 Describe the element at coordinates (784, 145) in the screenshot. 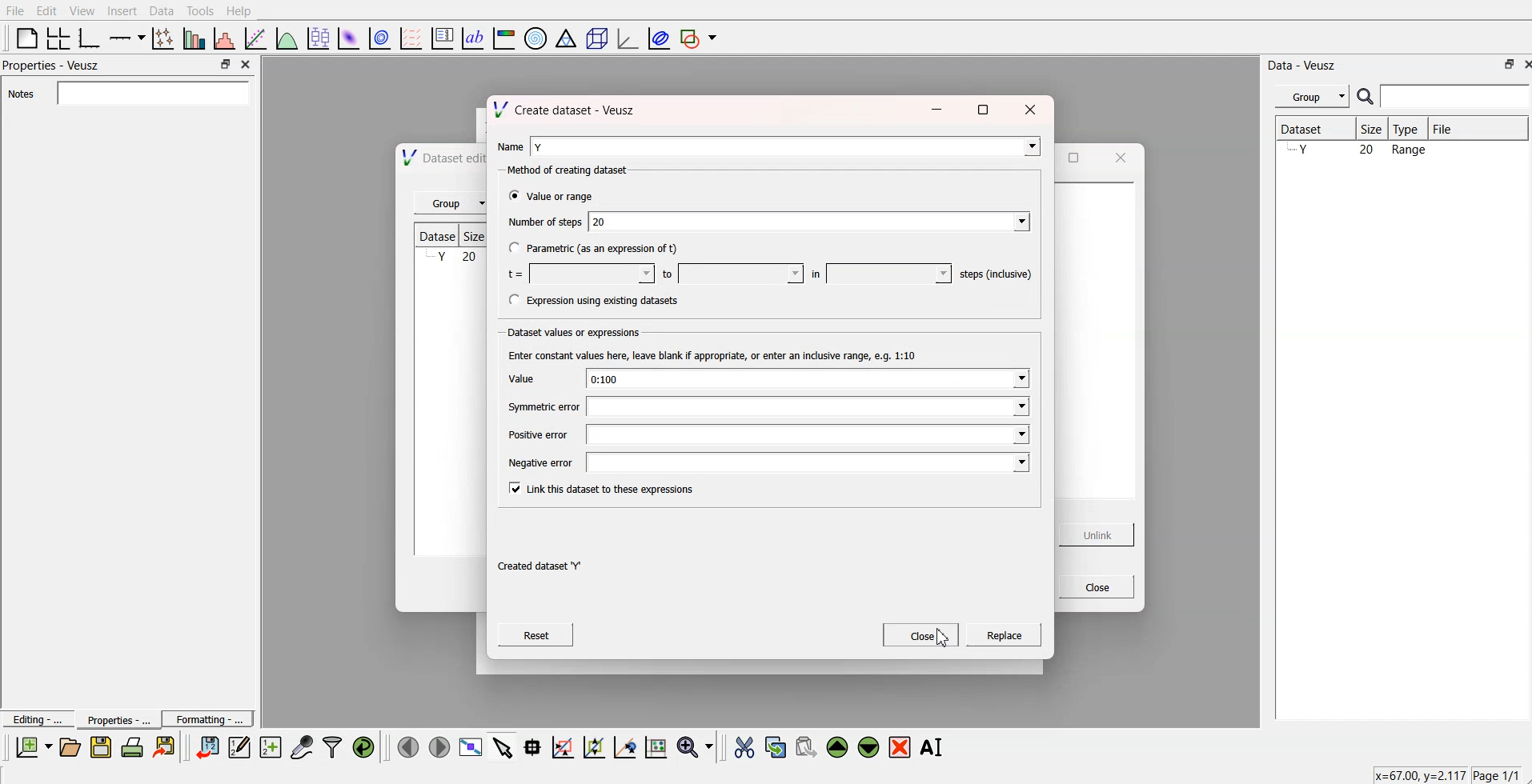

I see `ly` at that location.